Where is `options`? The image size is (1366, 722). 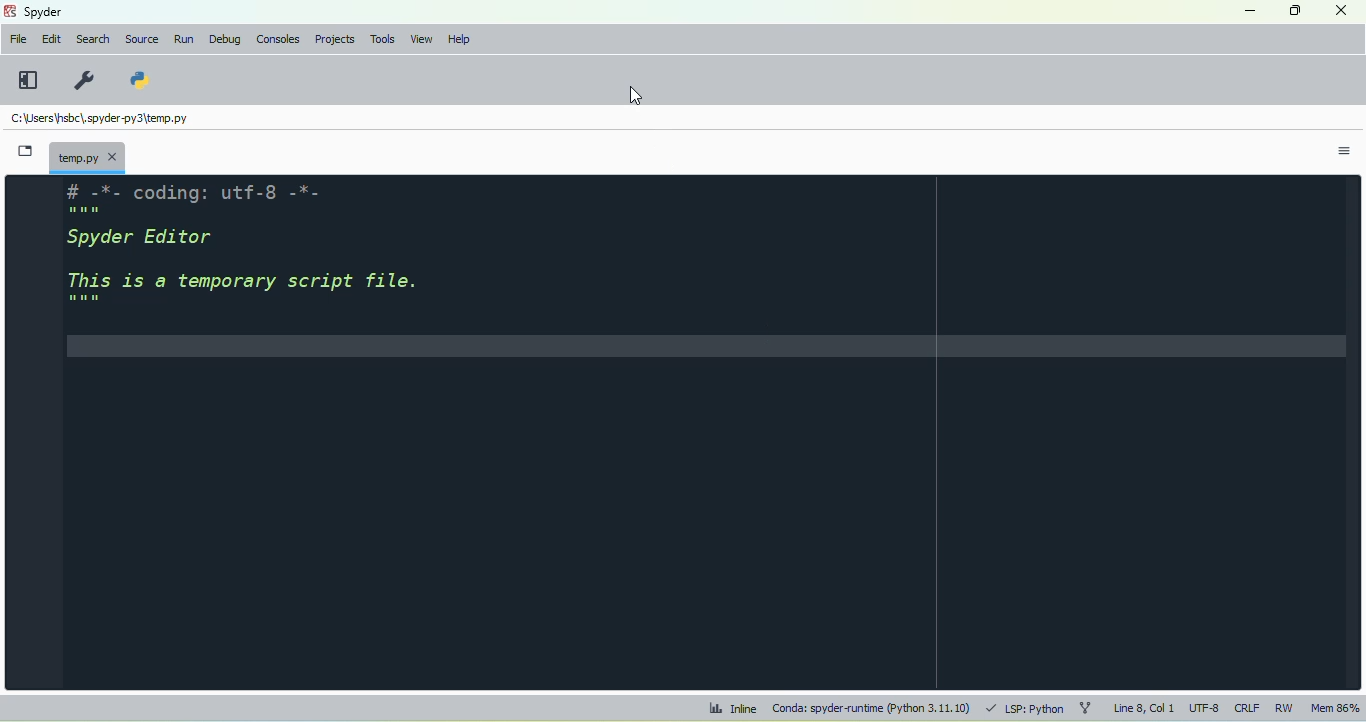
options is located at coordinates (1345, 152).